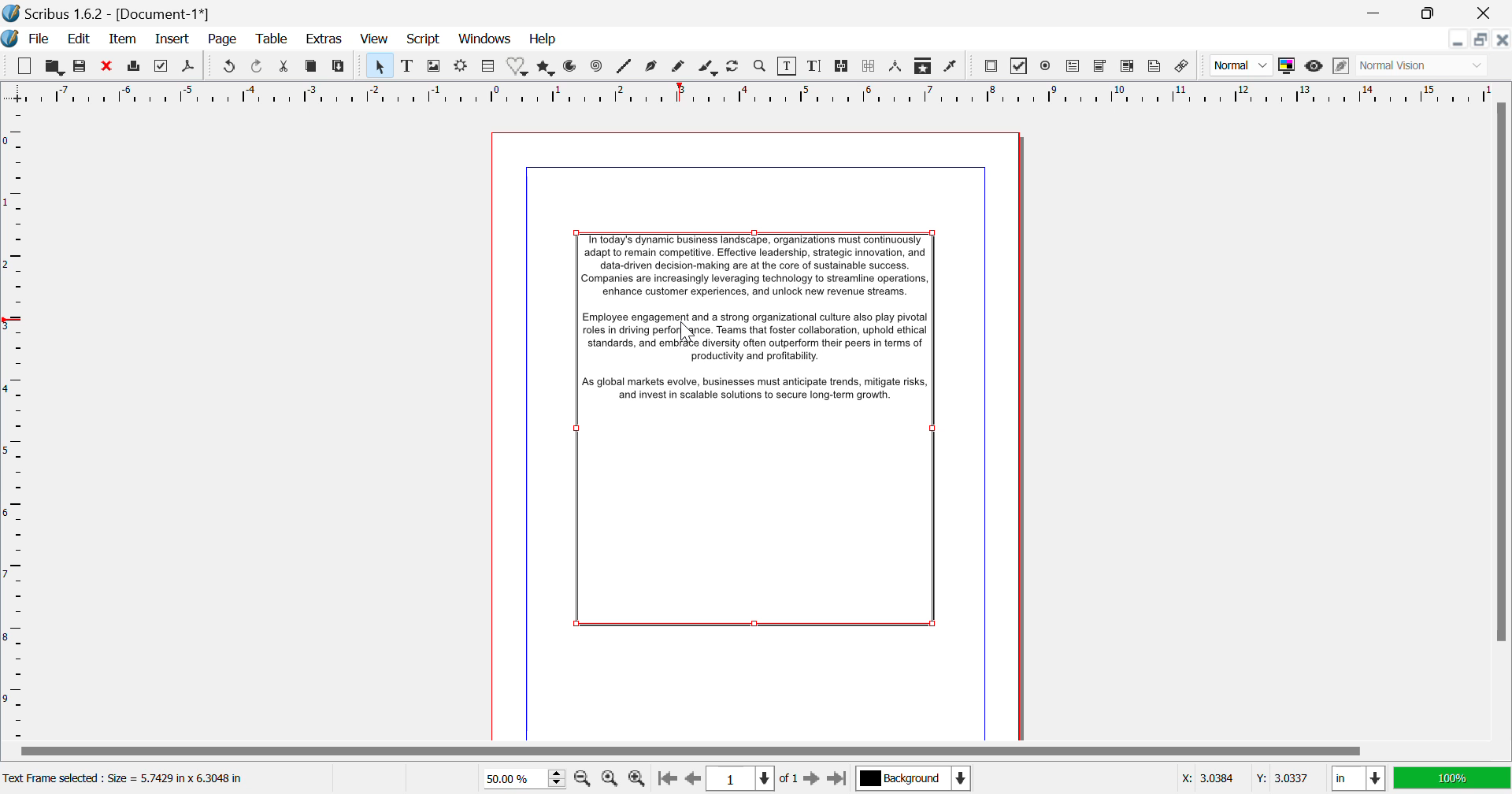  Describe the element at coordinates (694, 779) in the screenshot. I see `Previous Page` at that location.